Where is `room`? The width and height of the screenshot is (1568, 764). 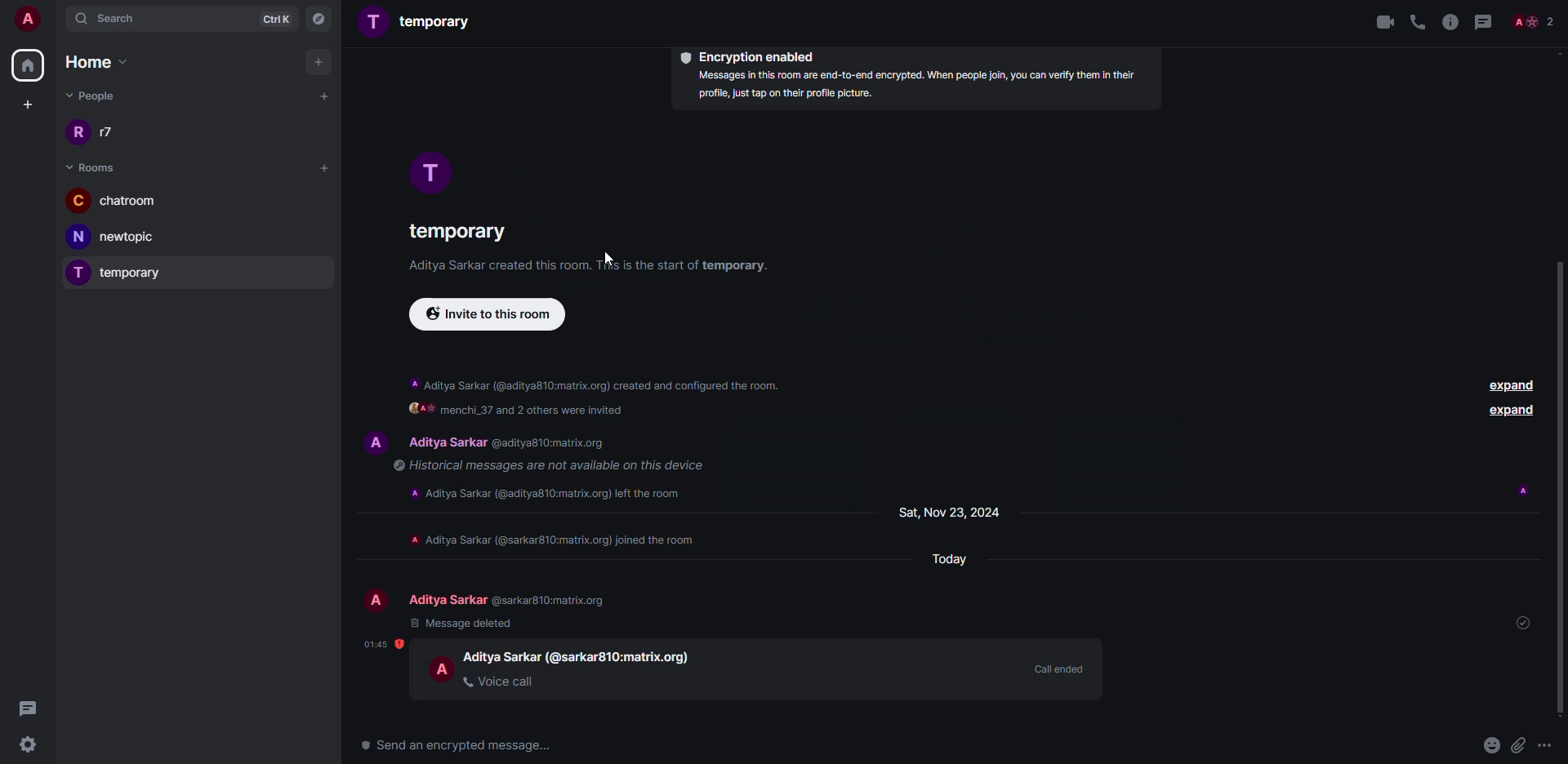 room is located at coordinates (115, 200).